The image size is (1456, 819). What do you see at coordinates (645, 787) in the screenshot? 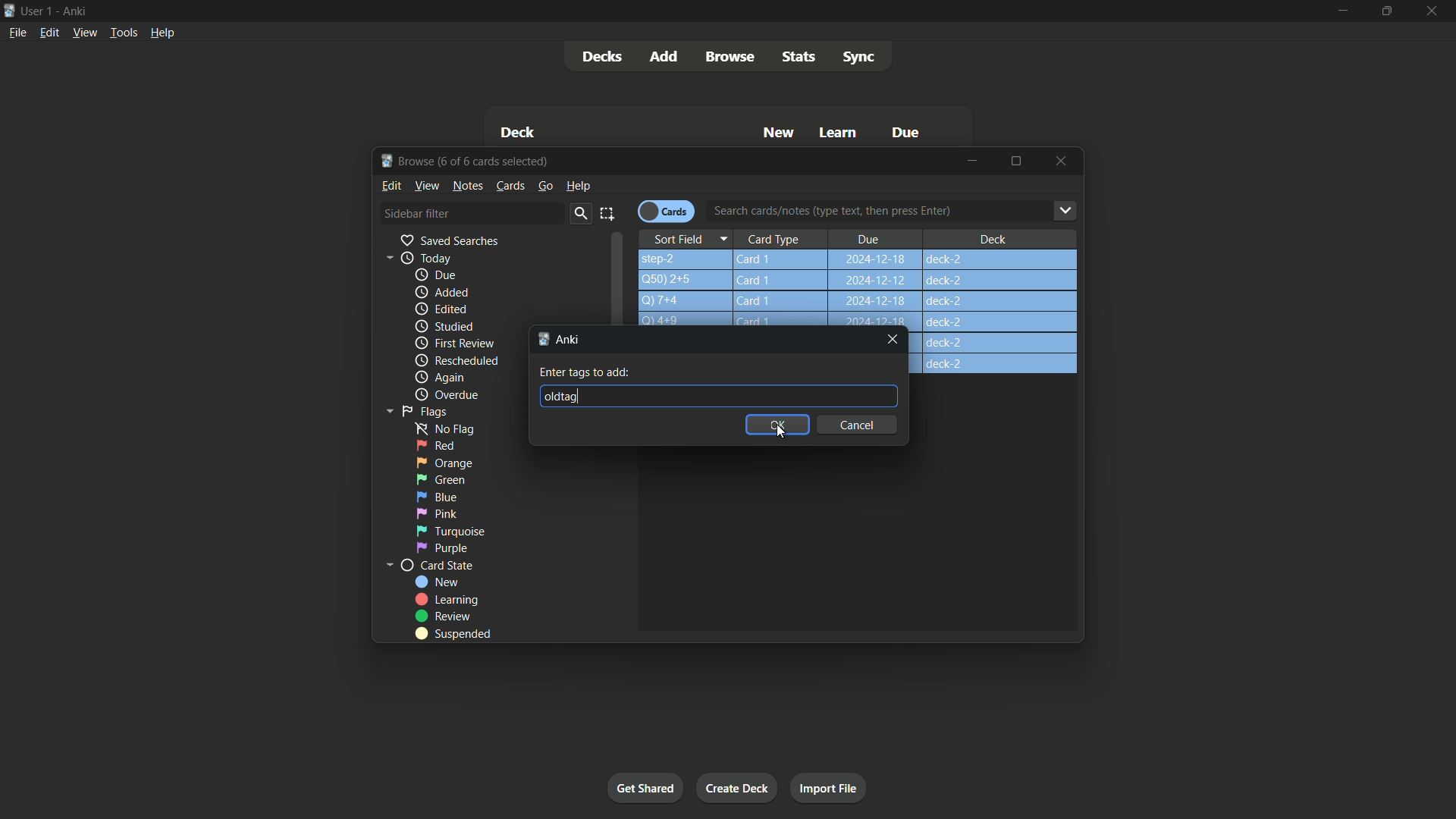
I see `Get started` at bounding box center [645, 787].